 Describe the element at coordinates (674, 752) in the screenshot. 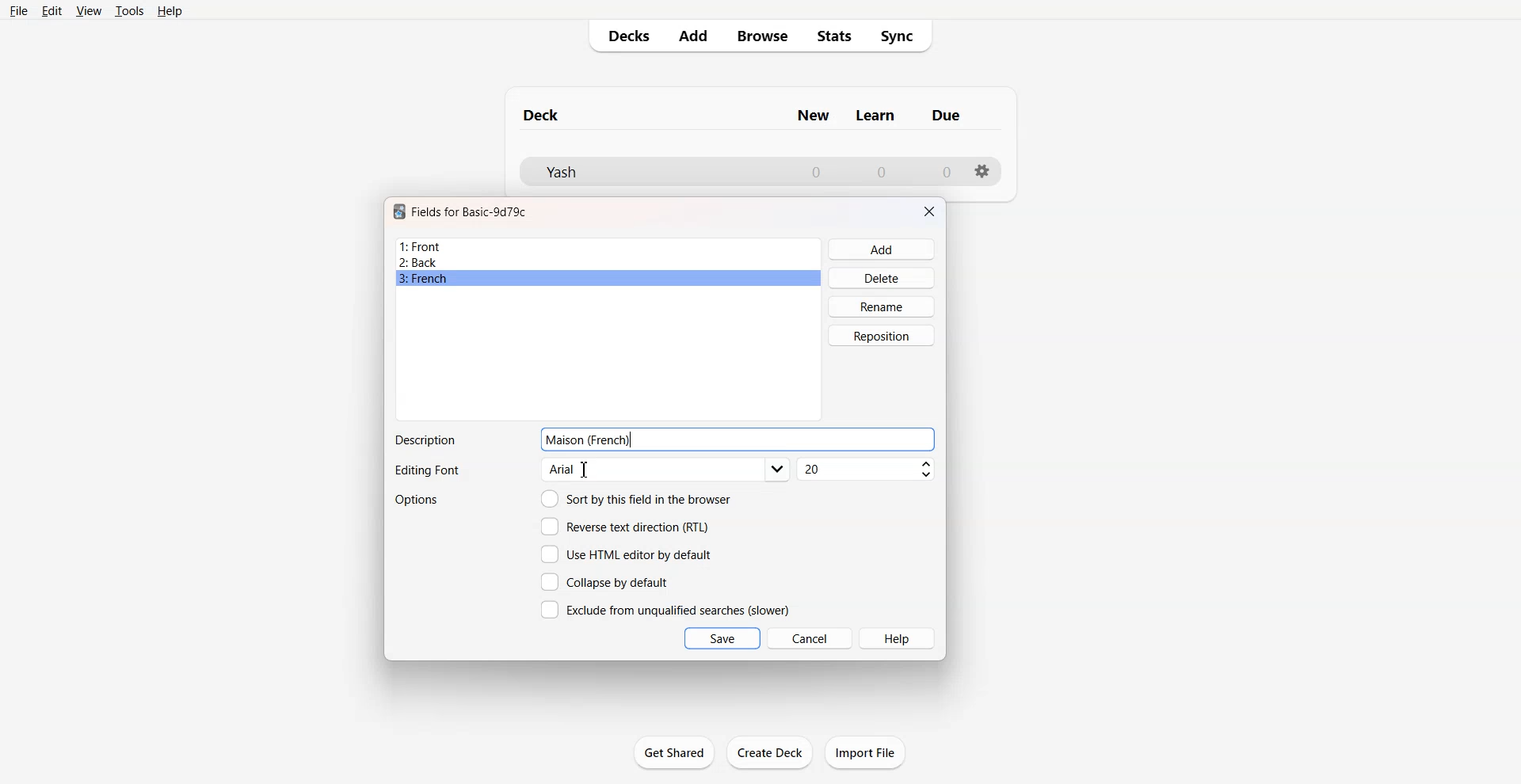

I see `Get Shared` at that location.